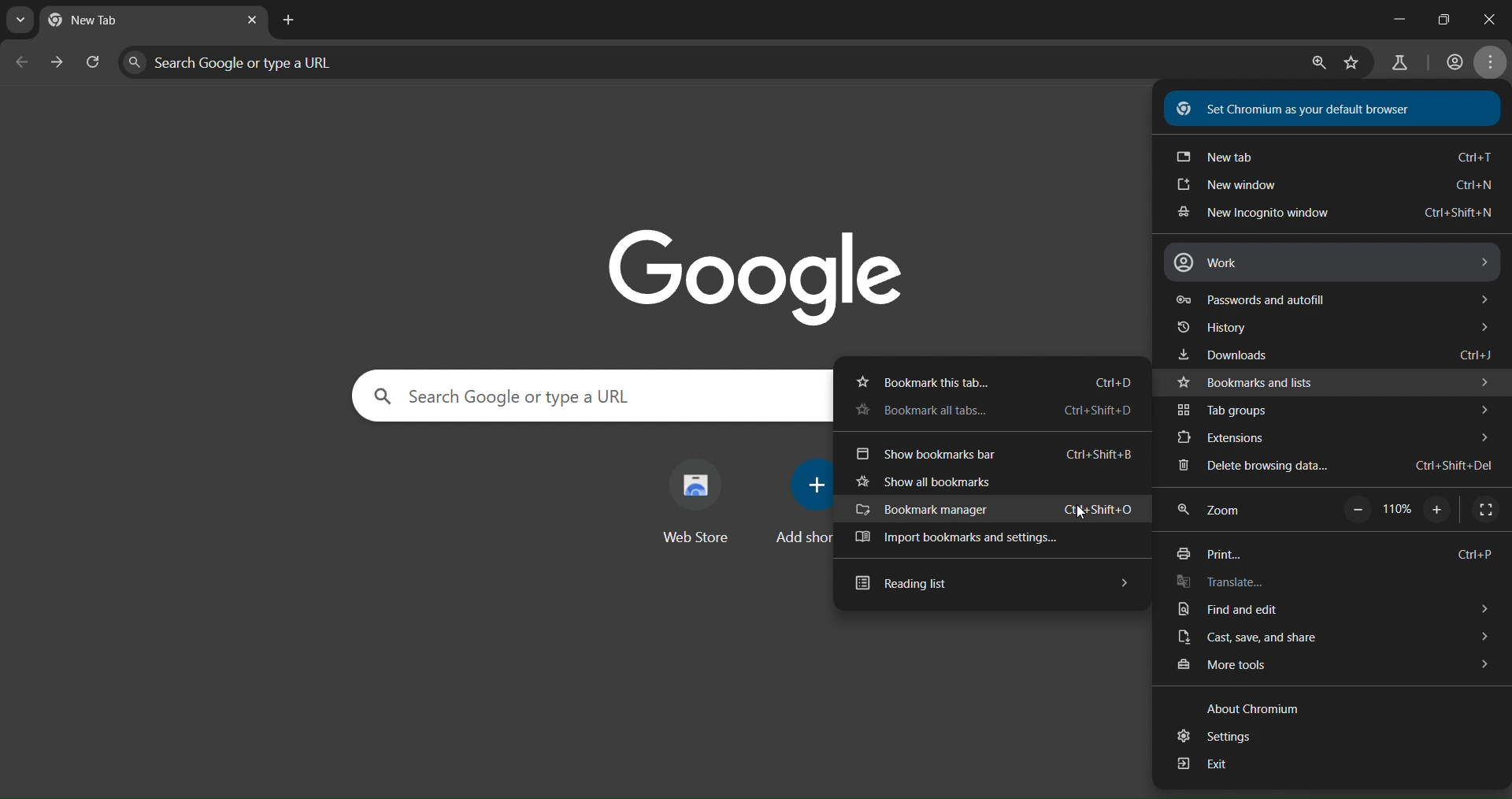 Image resolution: width=1512 pixels, height=799 pixels. Describe the element at coordinates (1334, 548) in the screenshot. I see `print` at that location.